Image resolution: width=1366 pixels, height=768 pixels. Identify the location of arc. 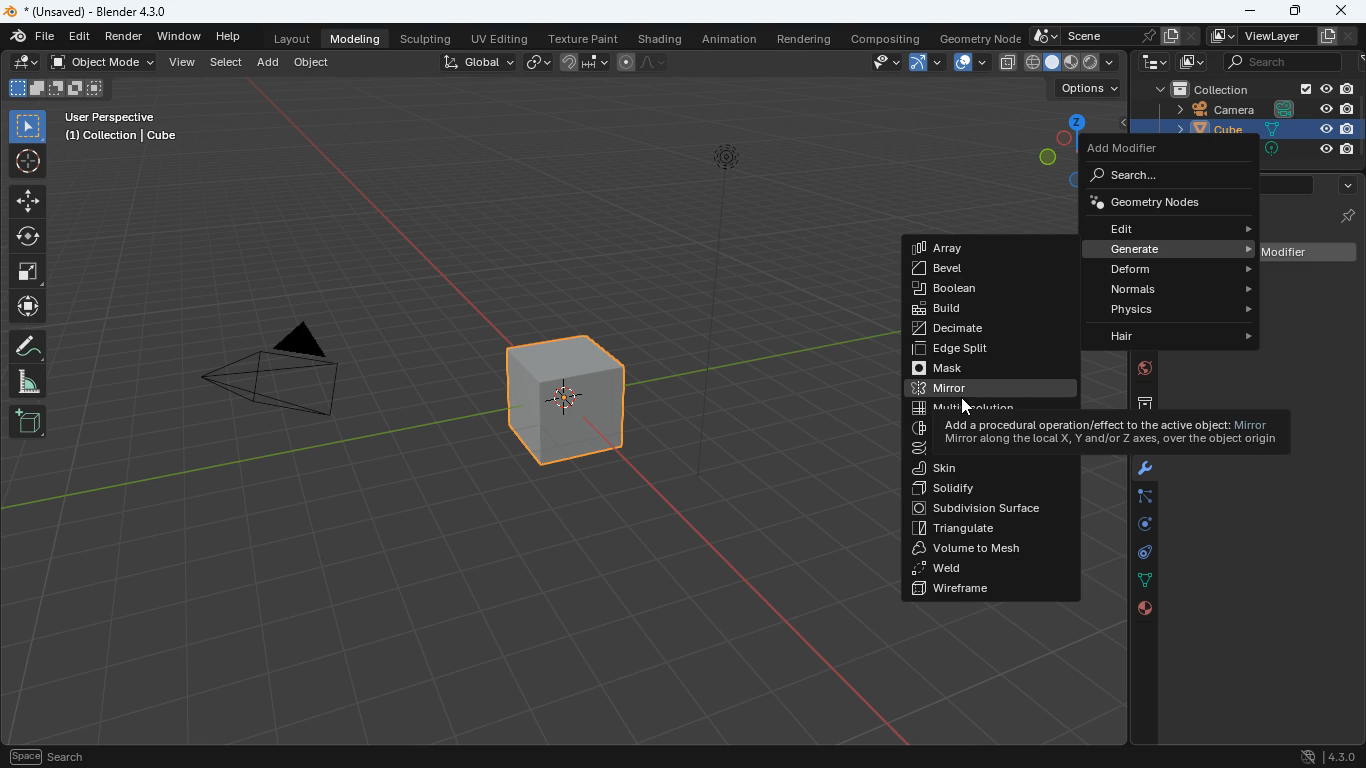
(925, 62).